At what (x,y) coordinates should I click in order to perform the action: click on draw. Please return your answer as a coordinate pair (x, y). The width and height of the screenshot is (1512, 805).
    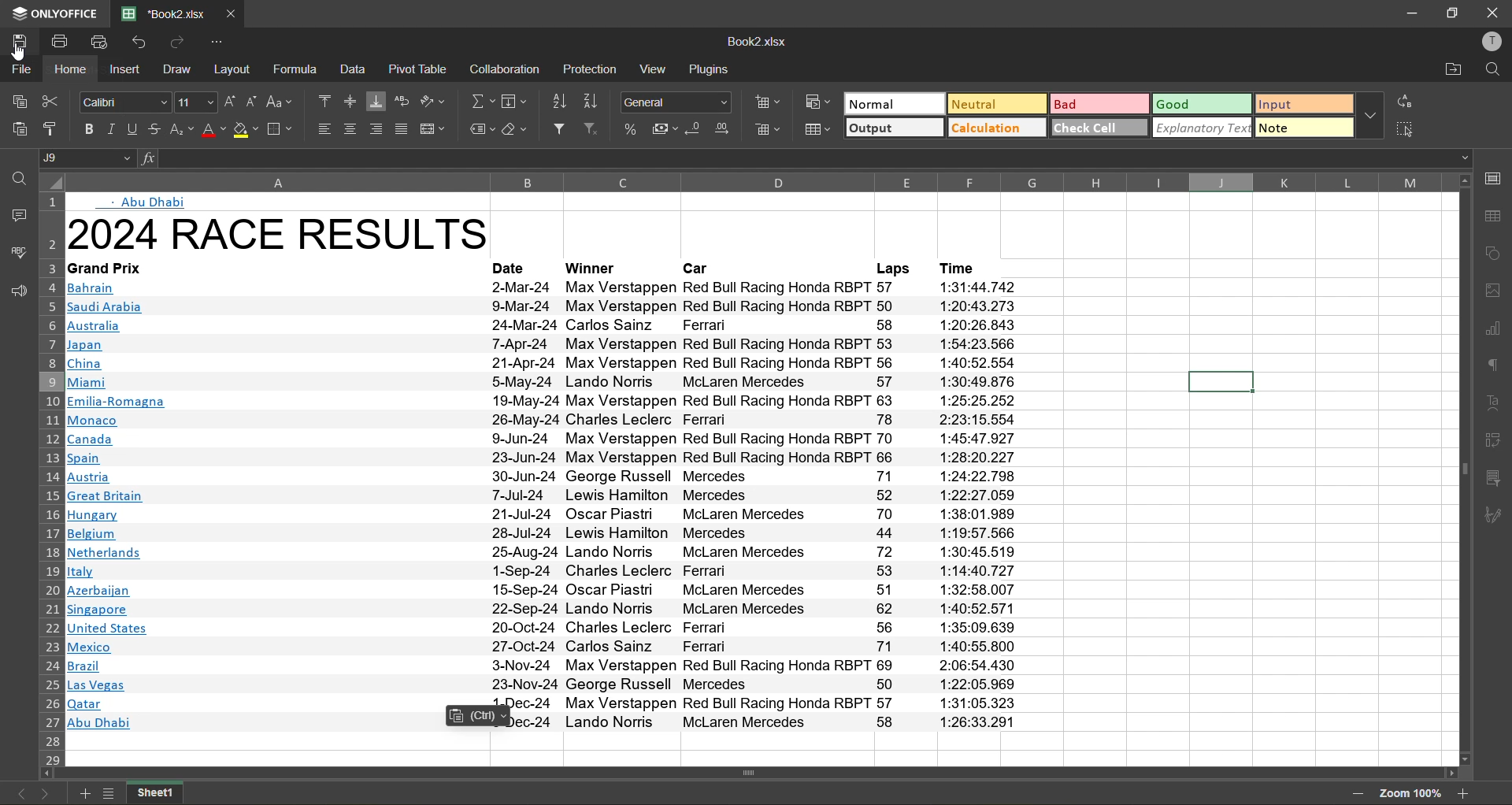
    Looking at the image, I should click on (180, 70).